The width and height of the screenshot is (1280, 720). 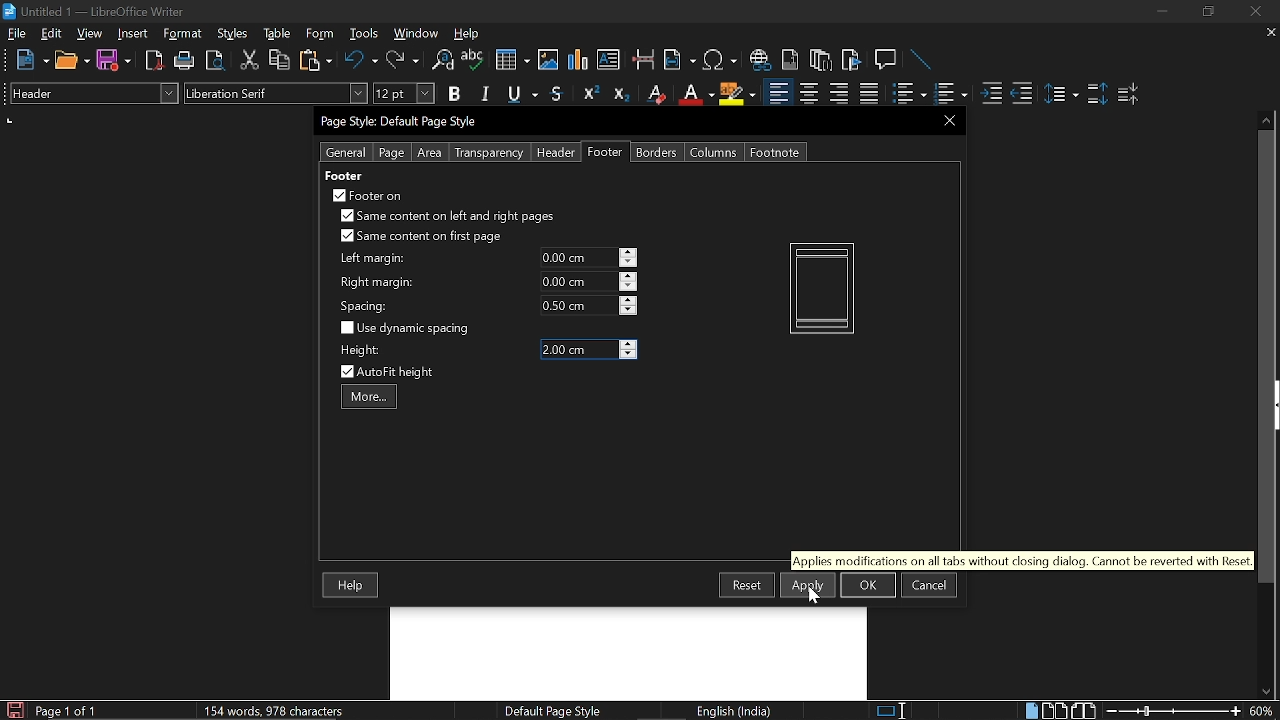 What do you see at coordinates (391, 153) in the screenshot?
I see `page Page` at bounding box center [391, 153].